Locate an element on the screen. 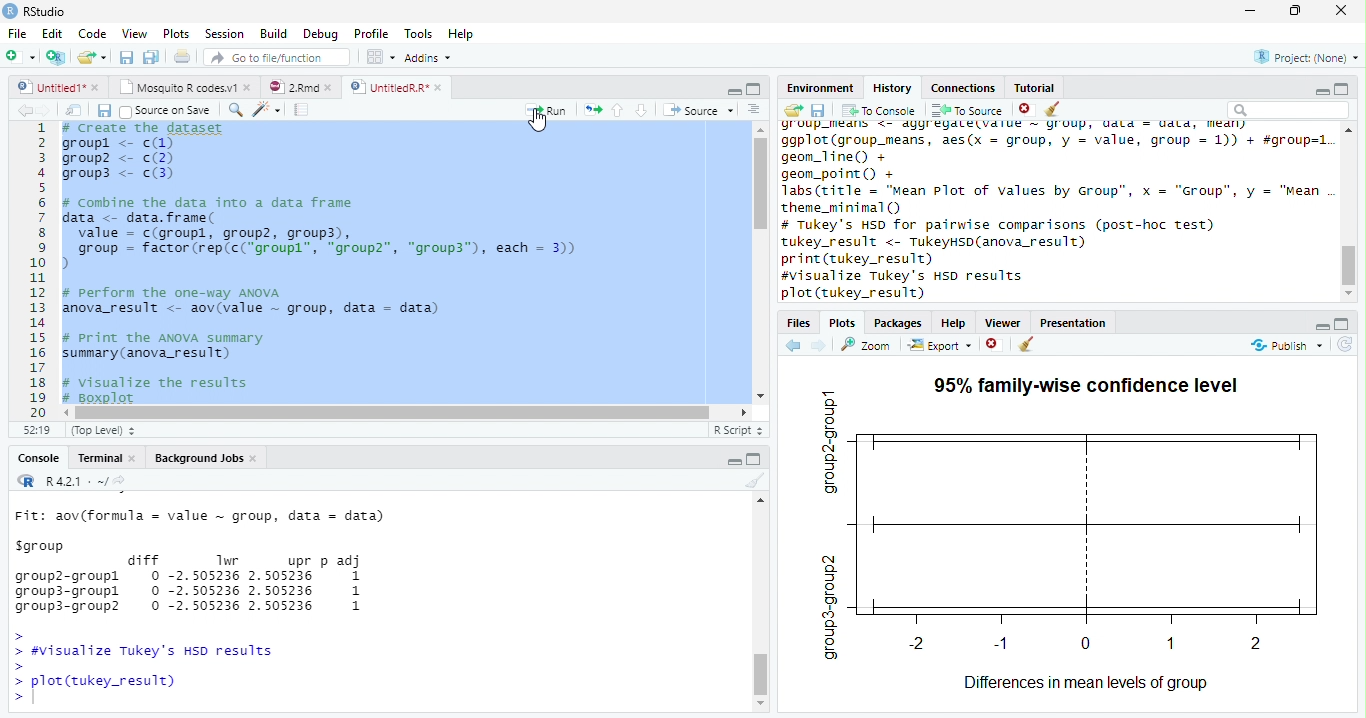 The width and height of the screenshot is (1366, 718). Go to previous section is located at coordinates (617, 109).